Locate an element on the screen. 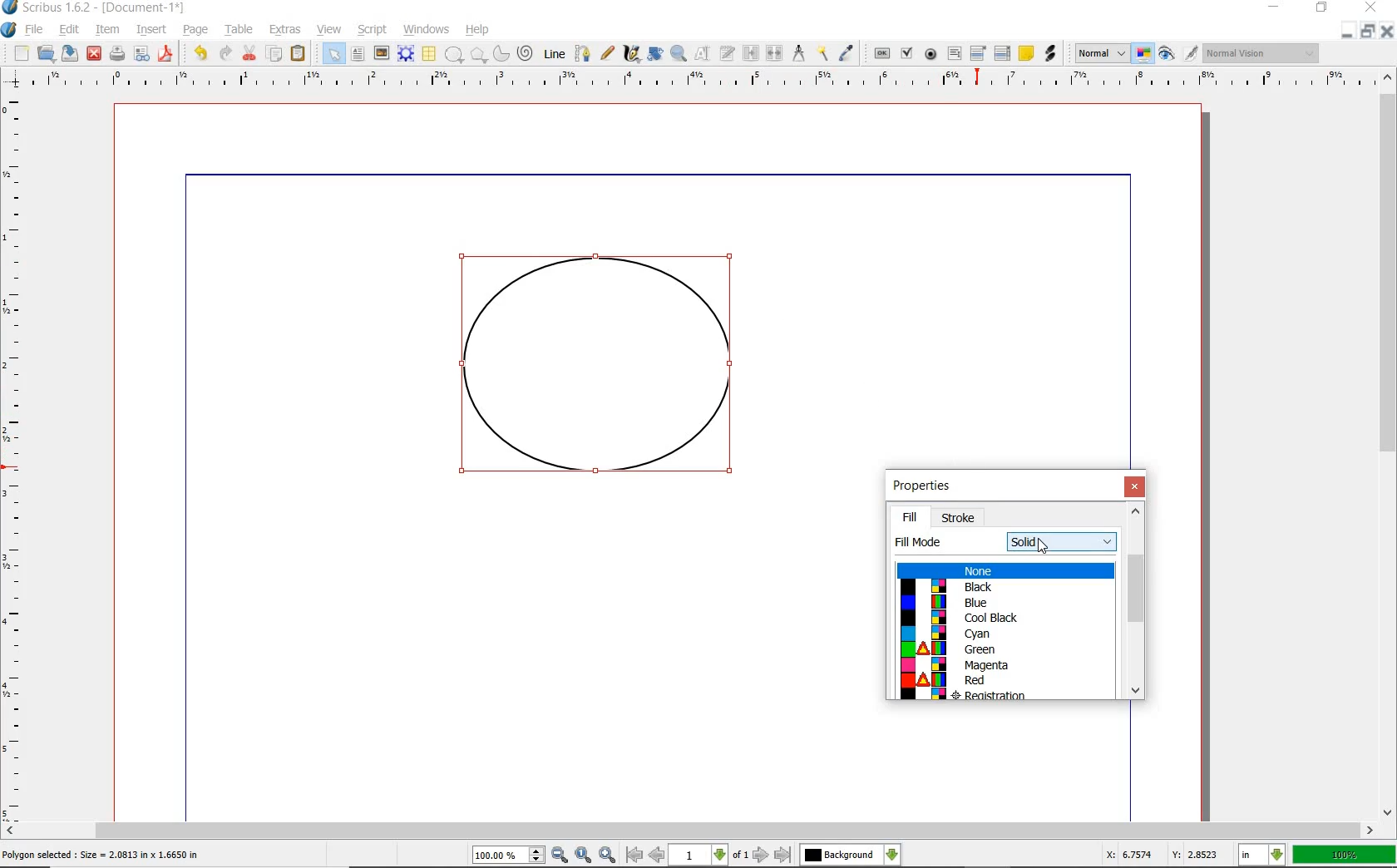  zoom to is located at coordinates (585, 855).